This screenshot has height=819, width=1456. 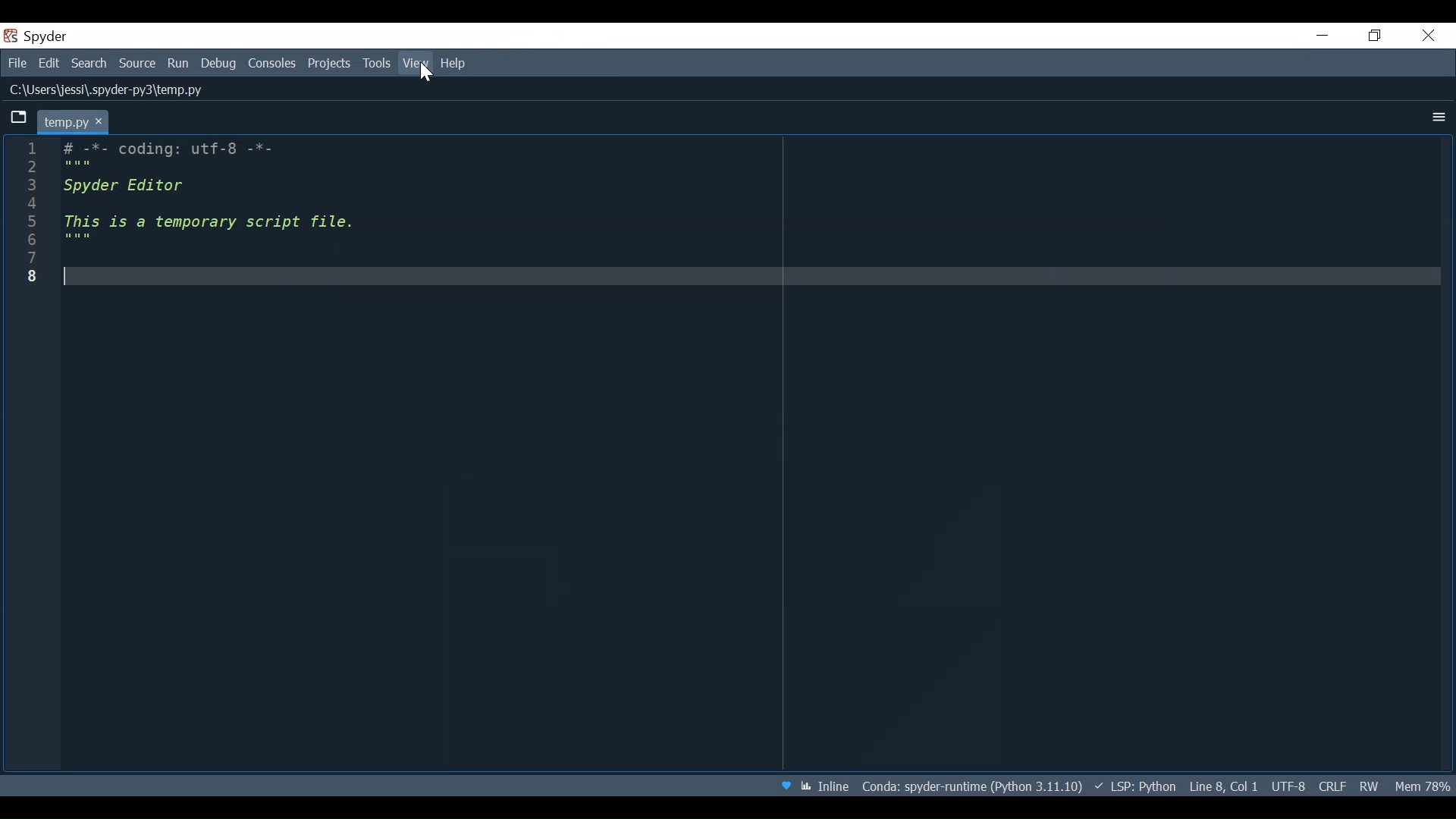 I want to click on Help, so click(x=457, y=64).